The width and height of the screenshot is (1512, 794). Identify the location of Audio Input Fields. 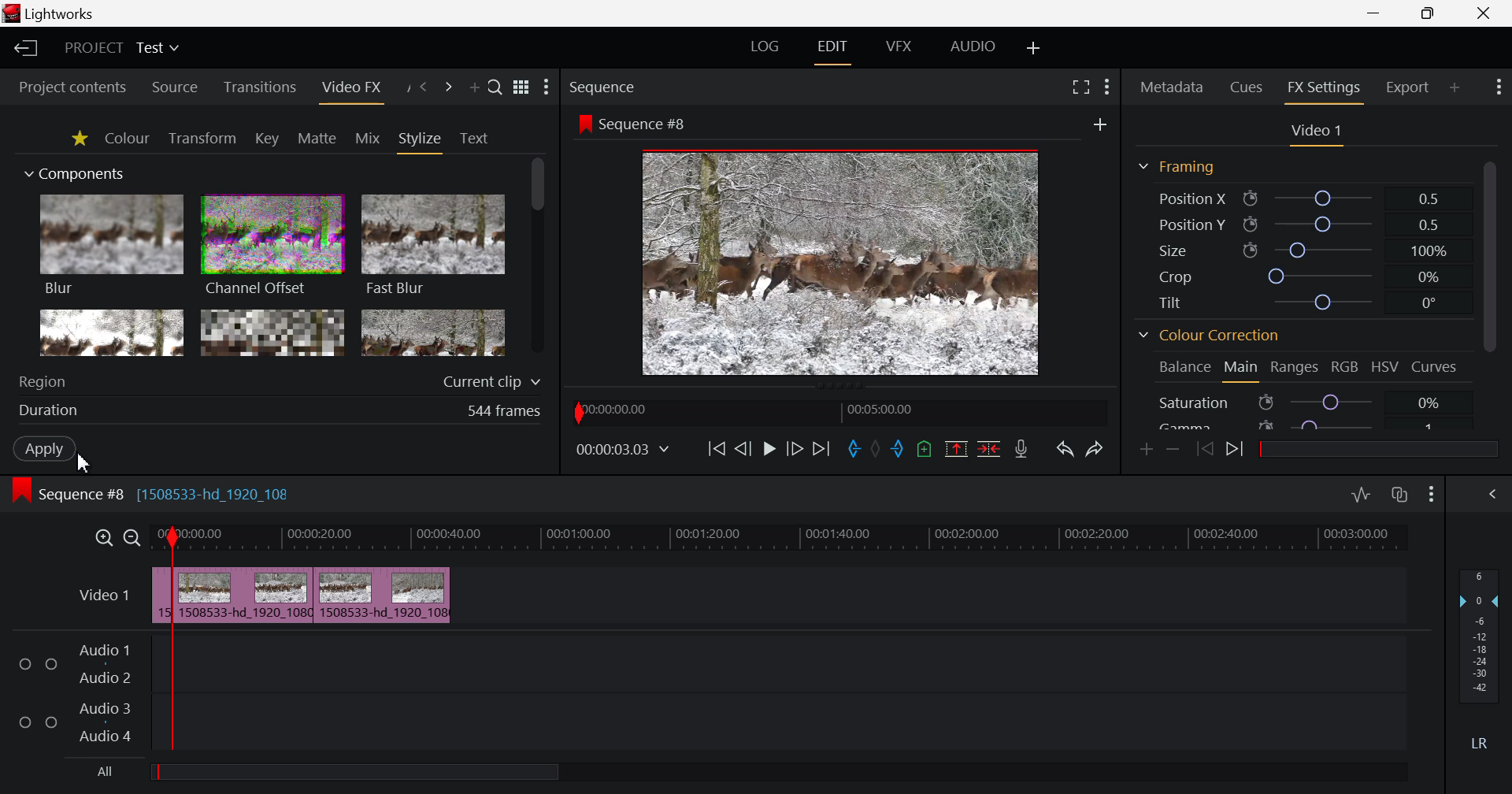
(703, 695).